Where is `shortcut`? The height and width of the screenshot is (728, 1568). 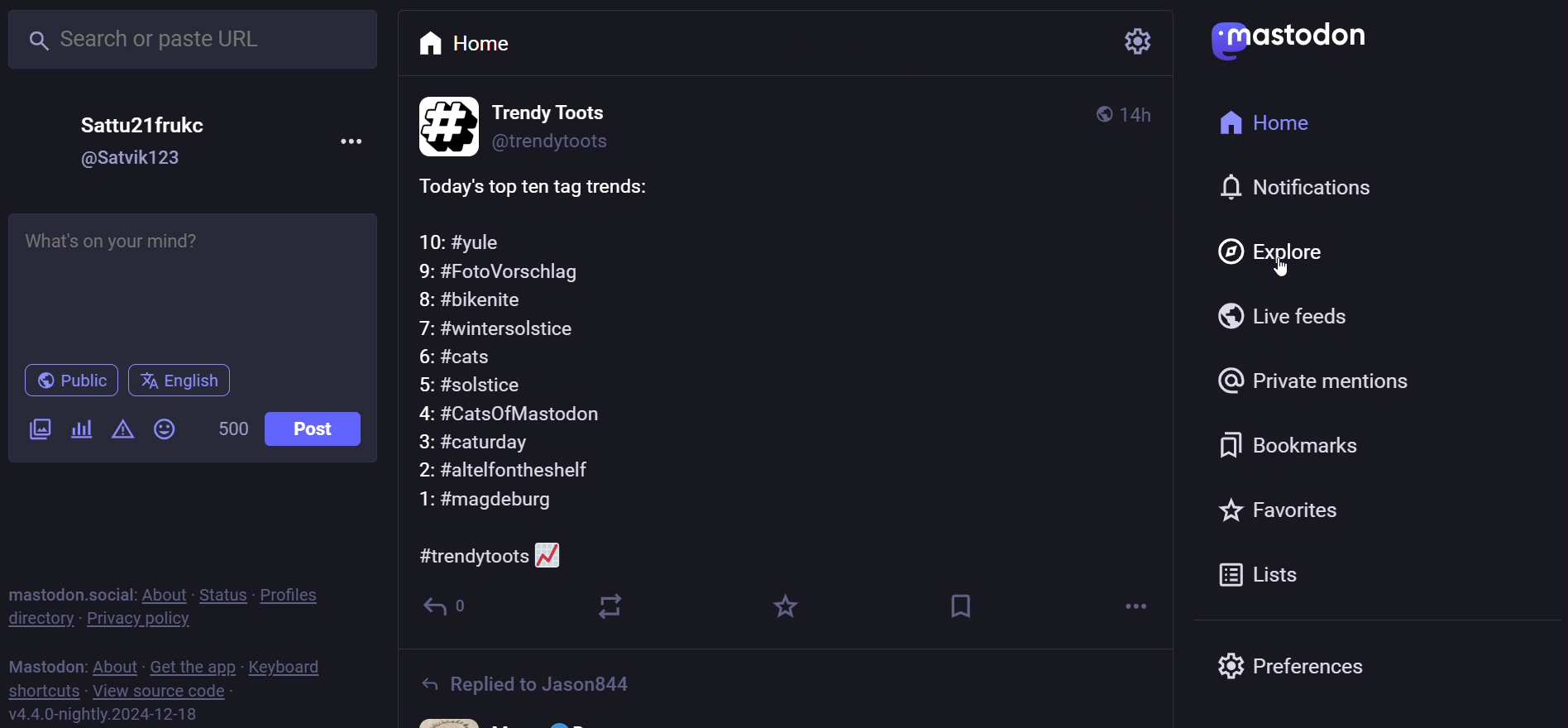 shortcut is located at coordinates (44, 691).